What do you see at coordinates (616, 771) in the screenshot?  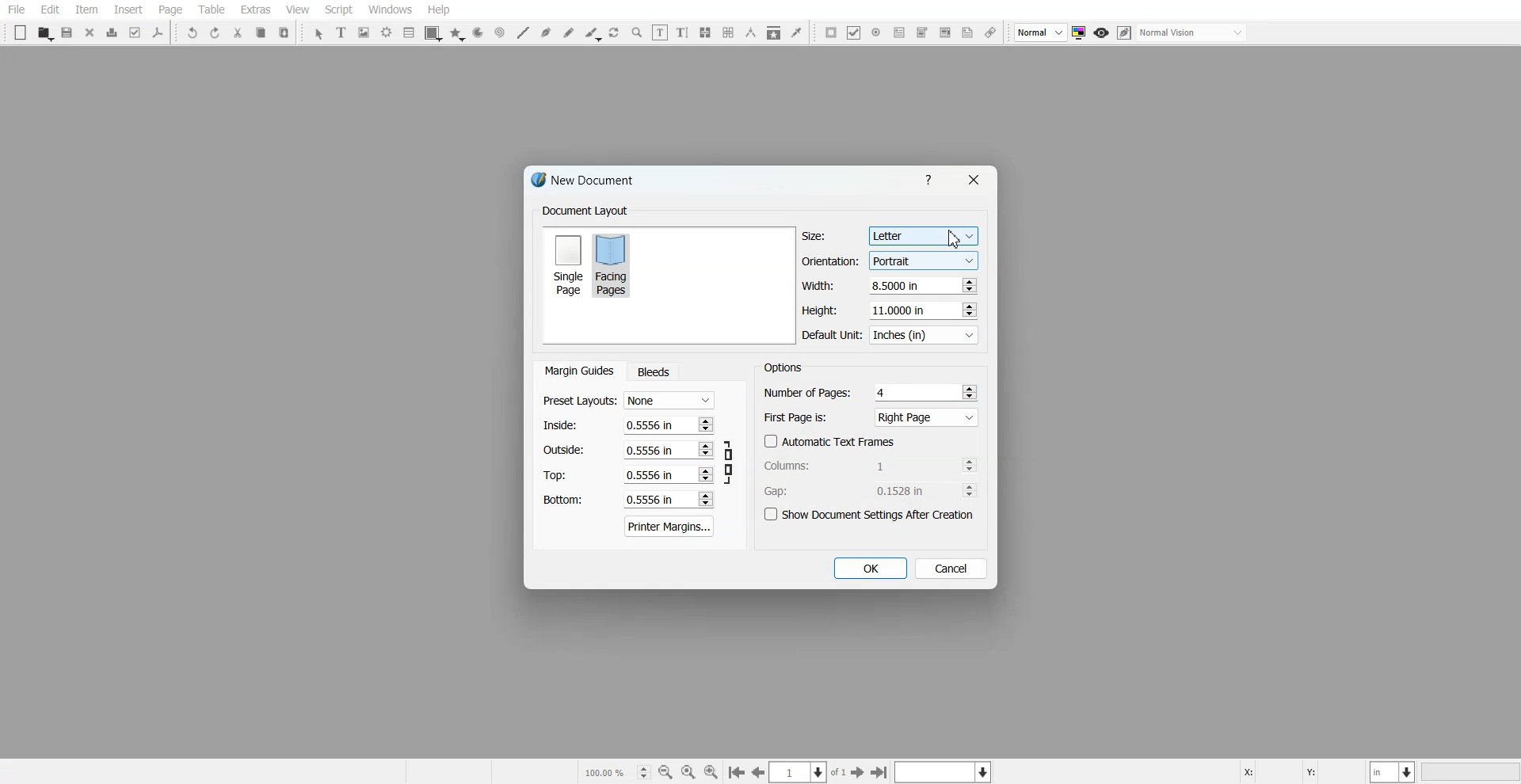 I see `Select current zoom` at bounding box center [616, 771].